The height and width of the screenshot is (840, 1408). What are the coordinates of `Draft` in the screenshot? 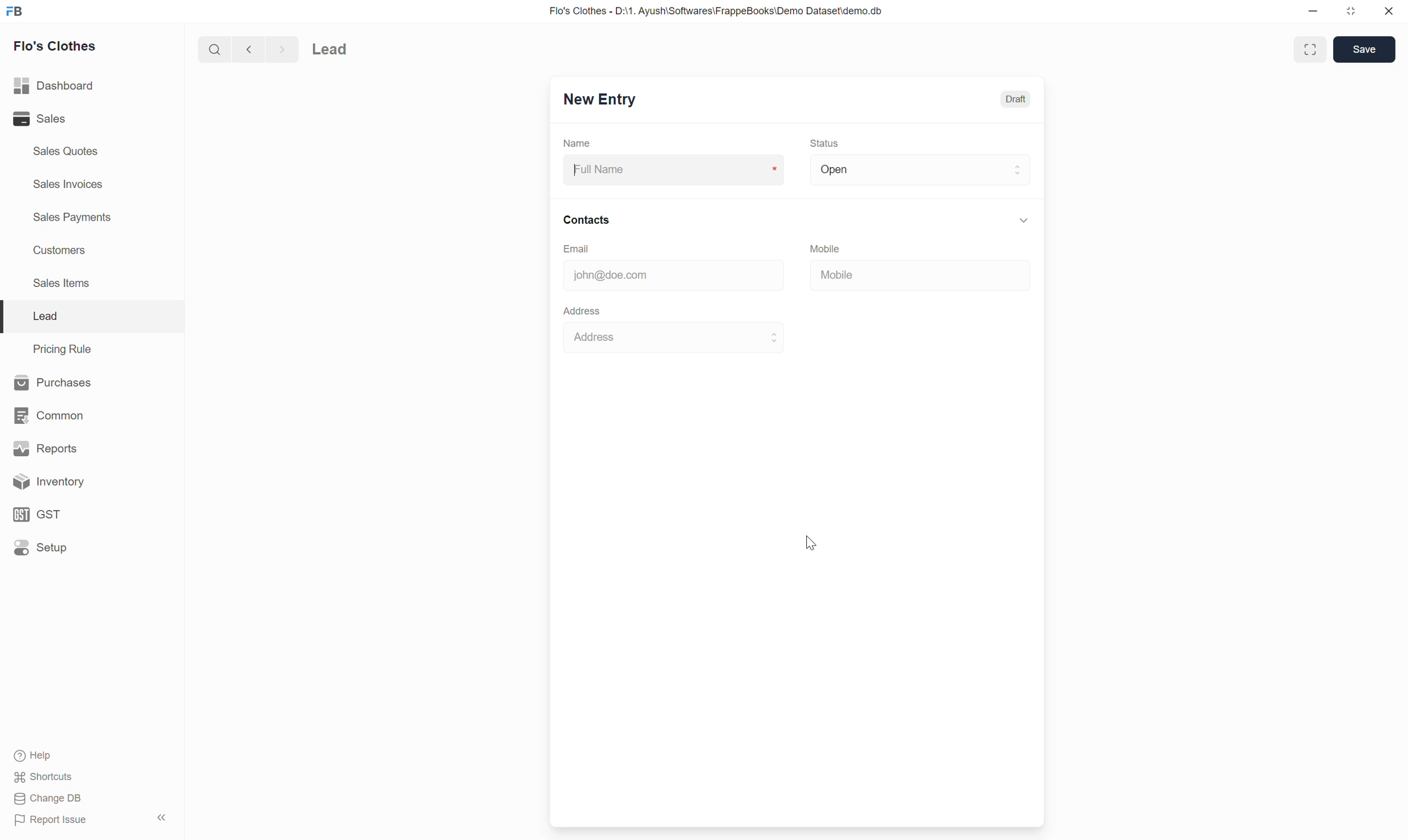 It's located at (1016, 98).